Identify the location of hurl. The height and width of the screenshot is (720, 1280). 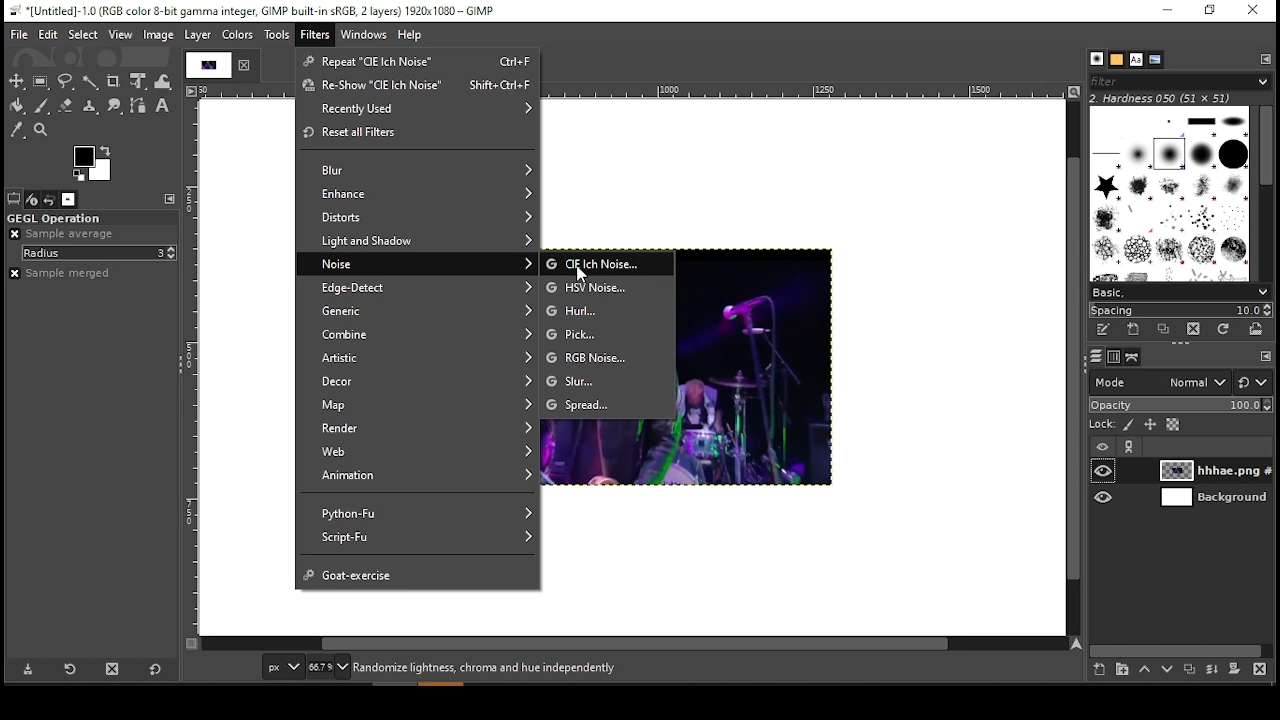
(608, 307).